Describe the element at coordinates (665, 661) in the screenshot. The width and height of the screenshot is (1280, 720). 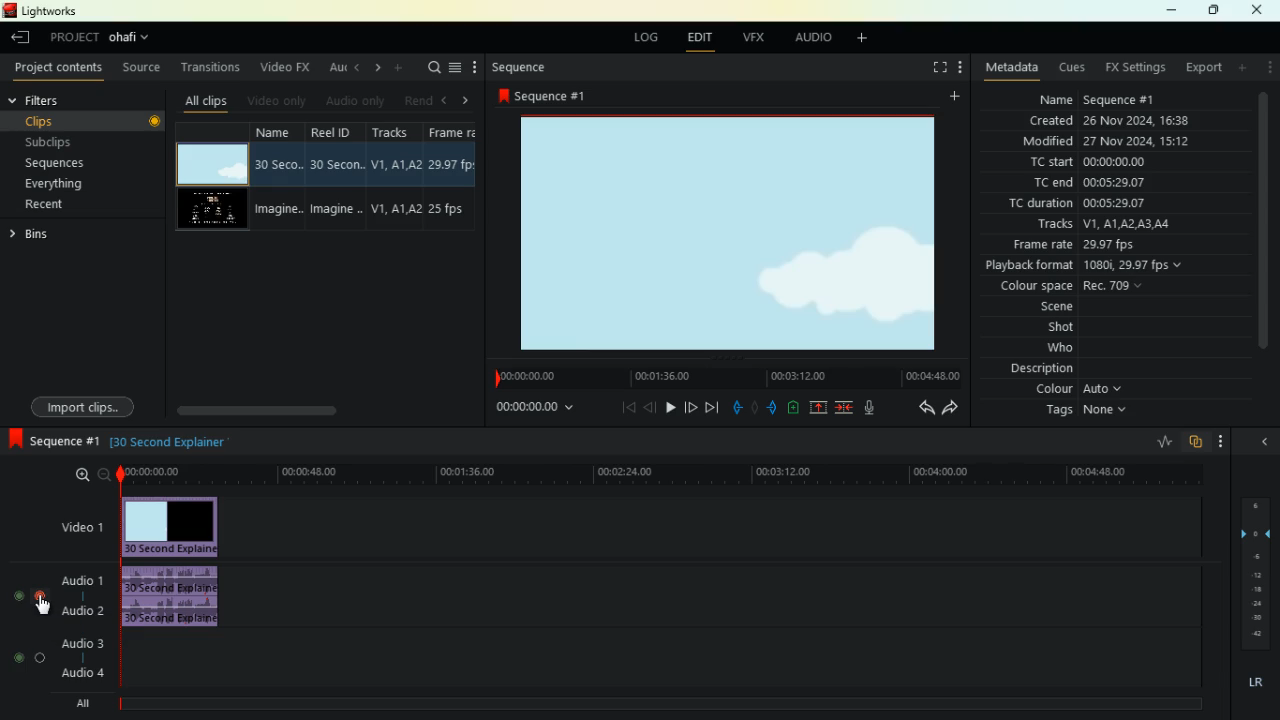
I see `audio 3 and audio 4 timeline track` at that location.